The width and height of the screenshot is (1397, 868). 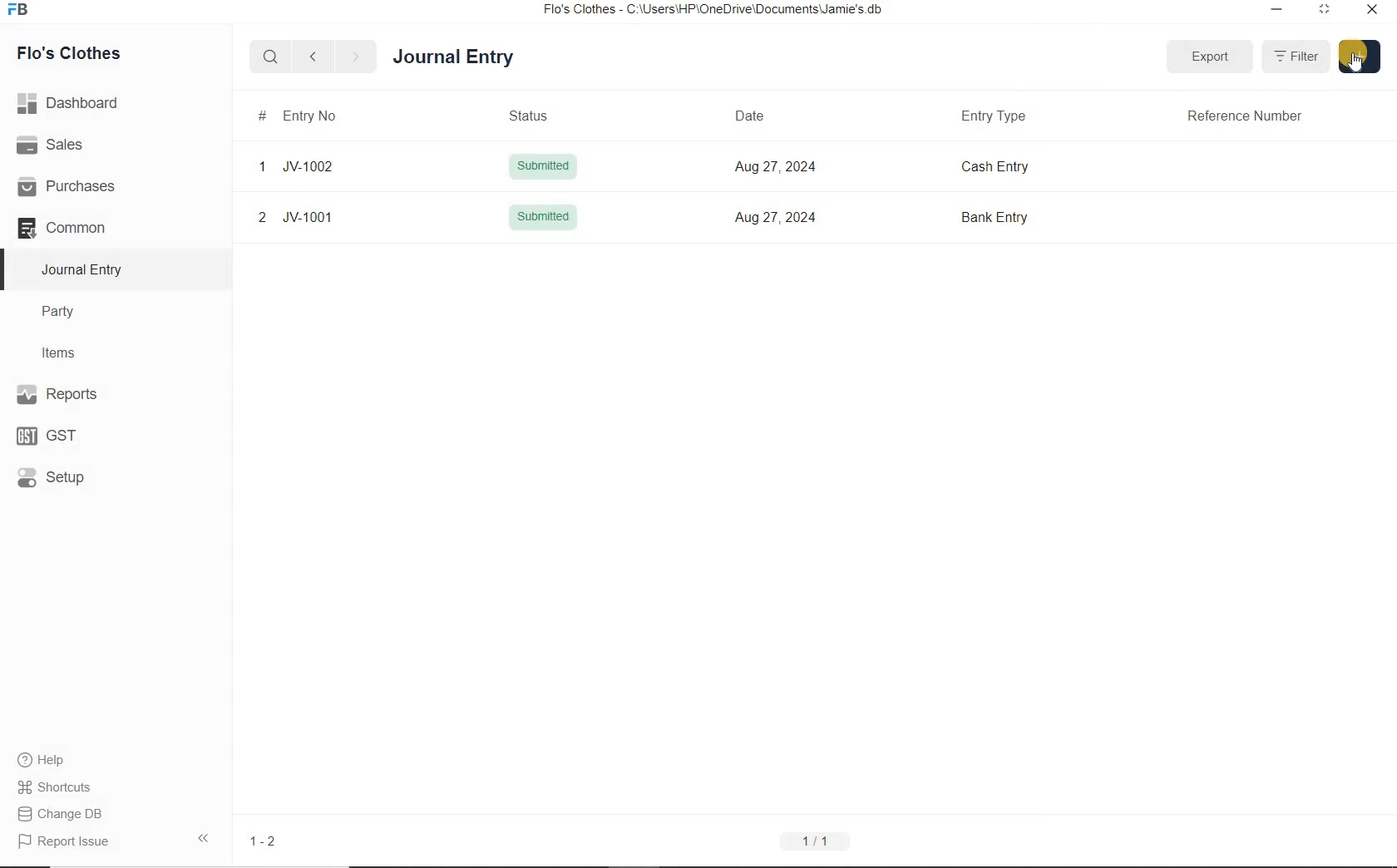 What do you see at coordinates (67, 351) in the screenshot?
I see `Items` at bounding box center [67, 351].